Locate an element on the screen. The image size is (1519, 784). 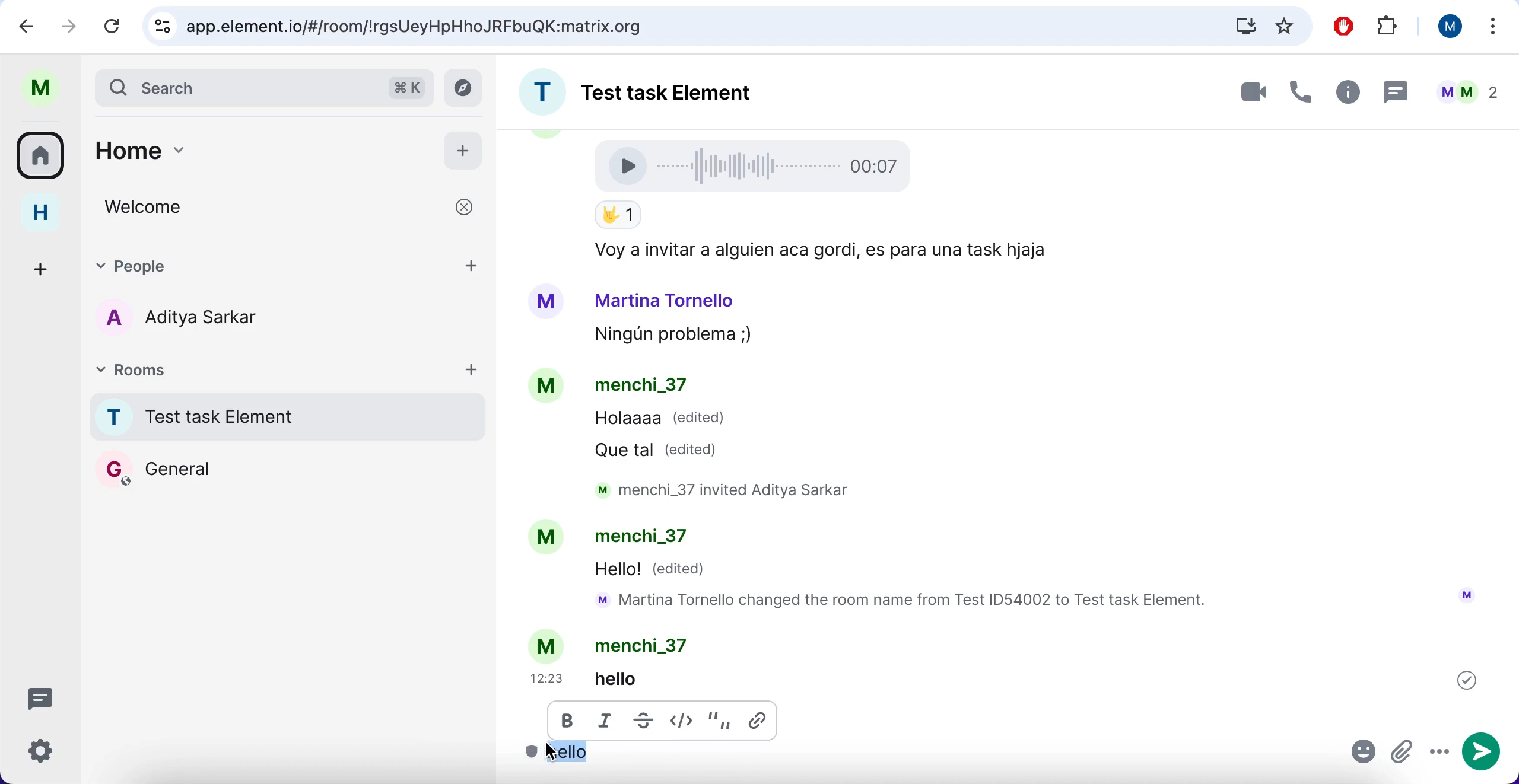
send message is located at coordinates (1484, 752).